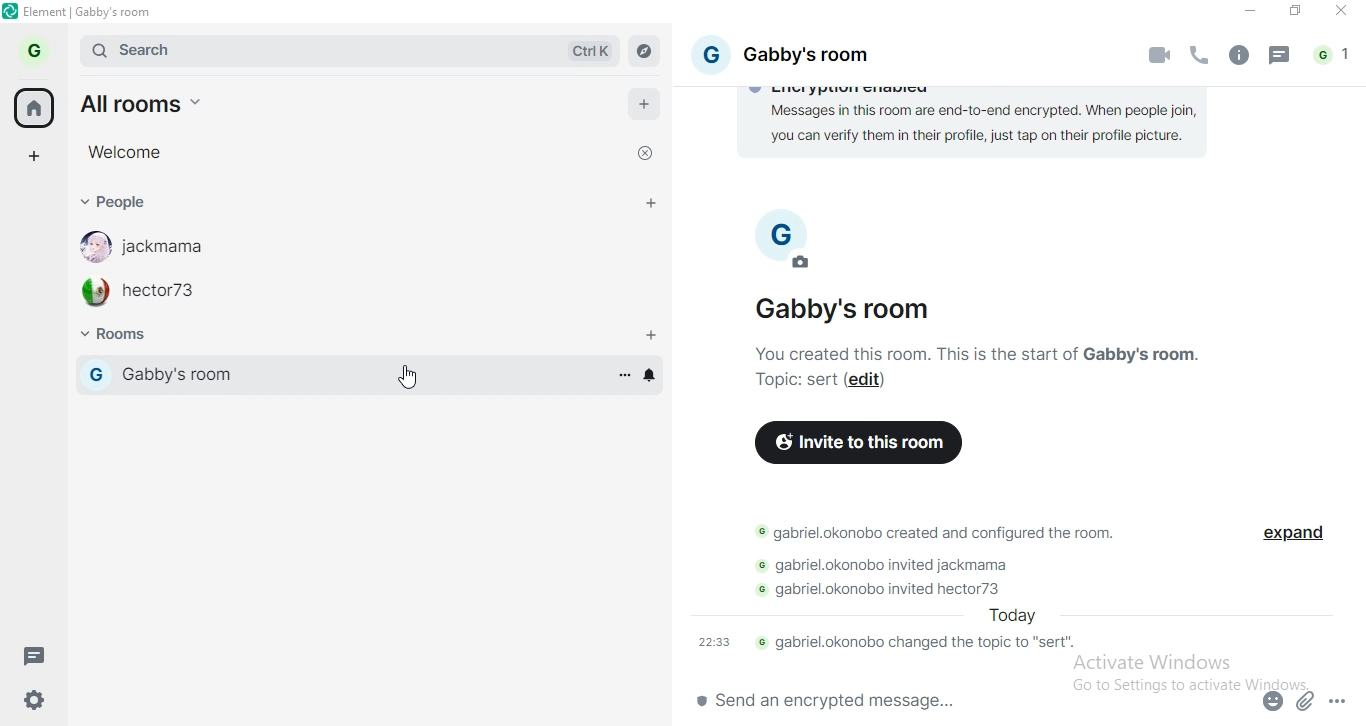 The image size is (1366, 726). I want to click on navigate, so click(644, 52).